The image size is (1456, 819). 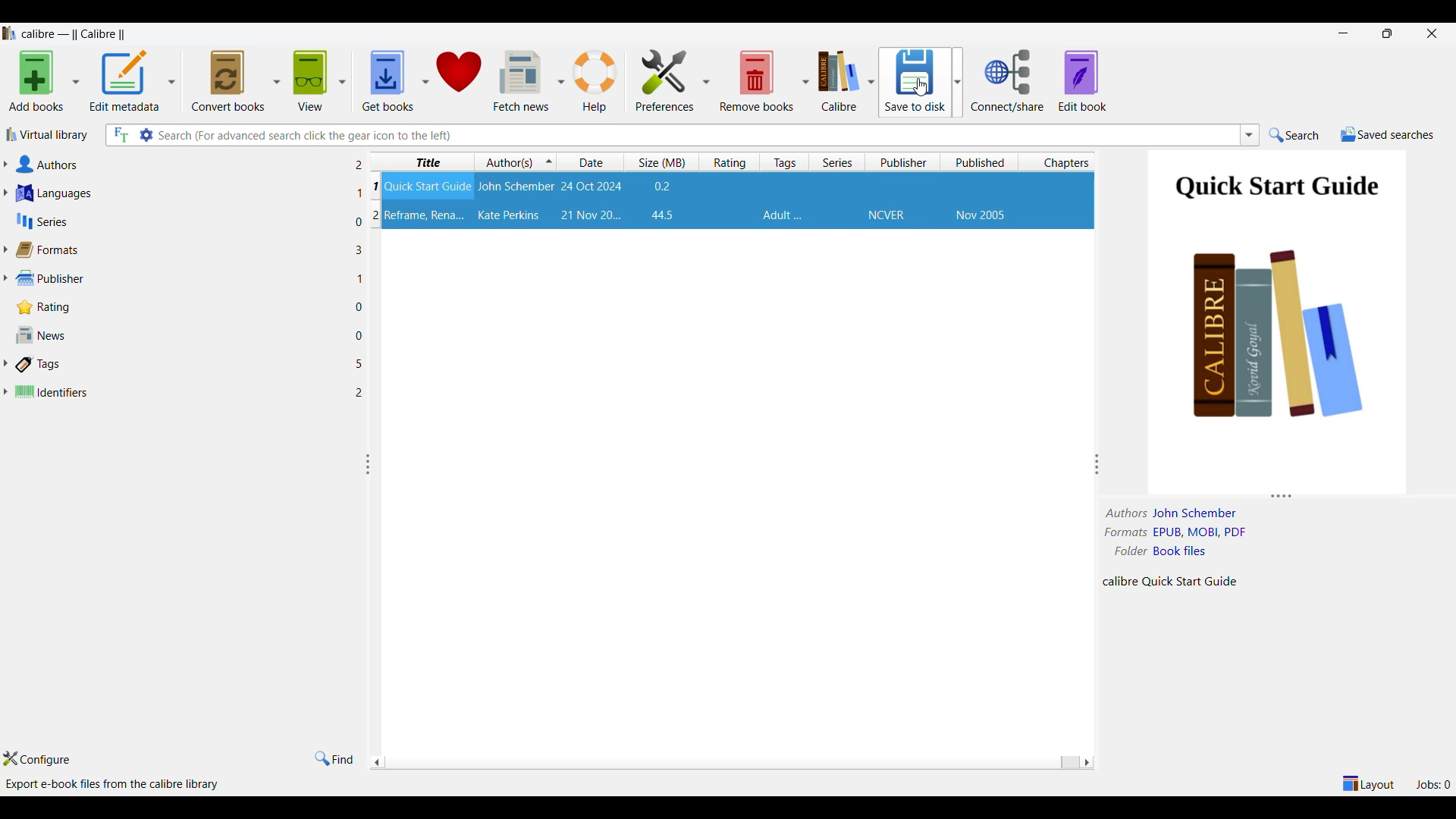 What do you see at coordinates (362, 307) in the screenshot?
I see `0` at bounding box center [362, 307].